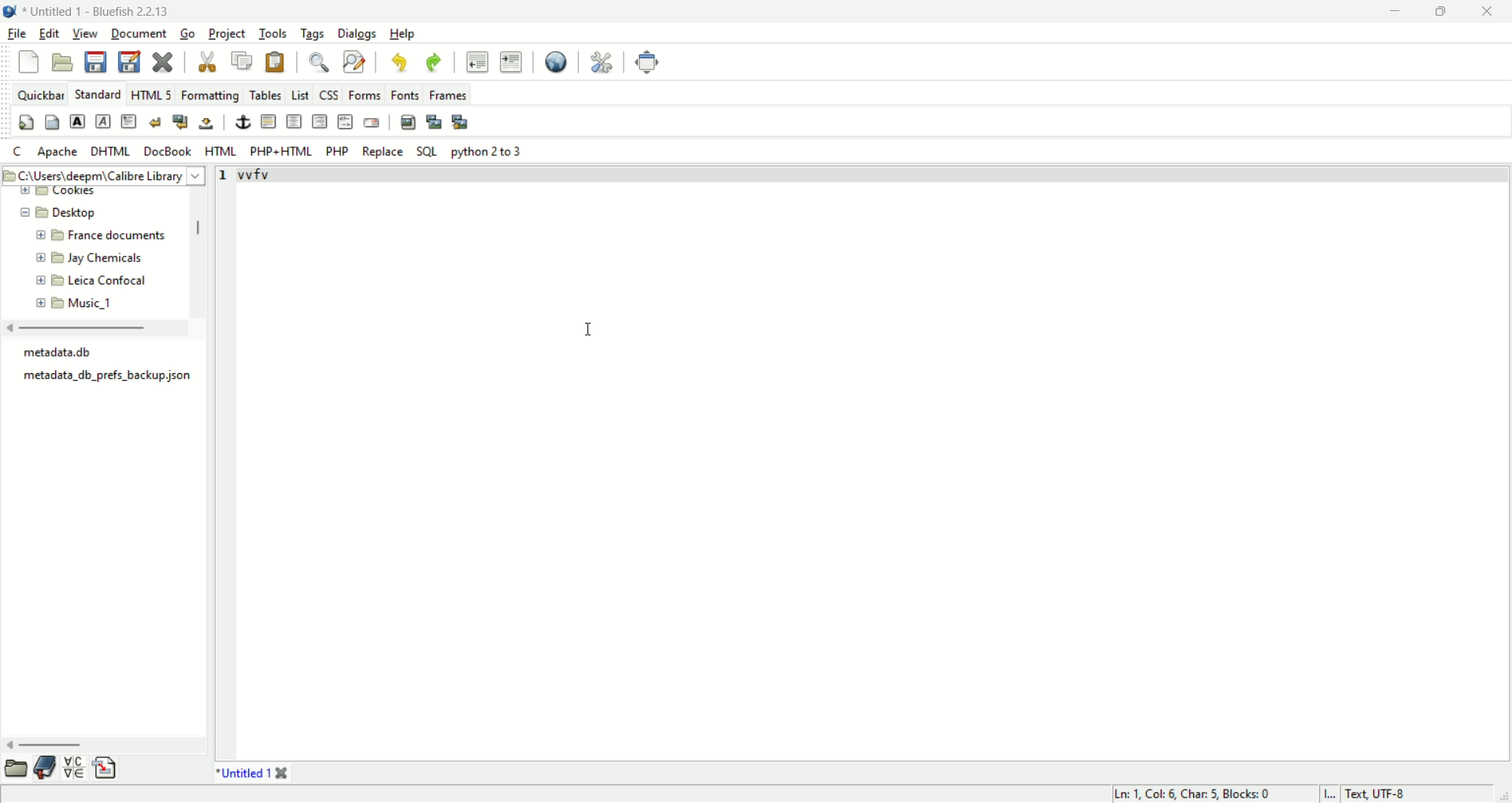 This screenshot has height=803, width=1512. What do you see at coordinates (109, 150) in the screenshot?
I see `DHTML` at bounding box center [109, 150].